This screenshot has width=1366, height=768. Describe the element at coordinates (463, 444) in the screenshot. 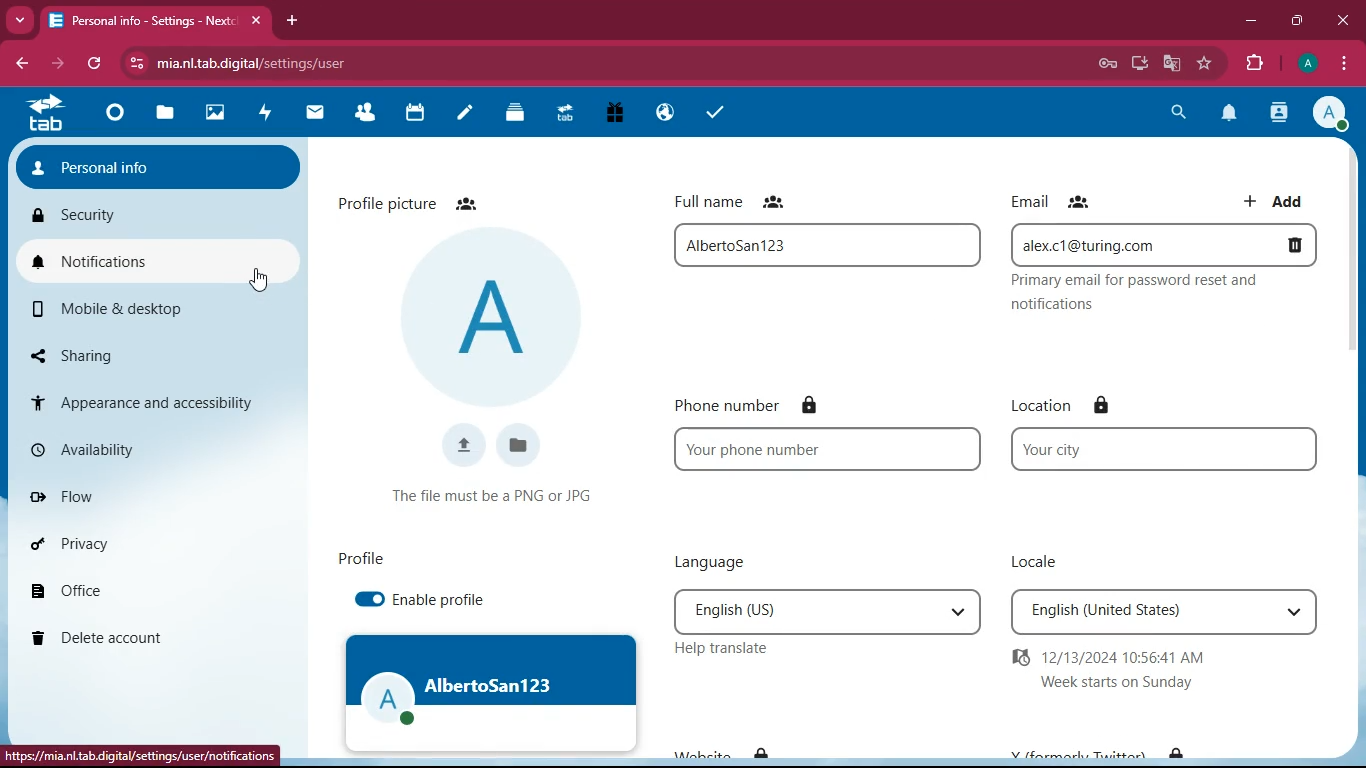

I see `upload` at that location.